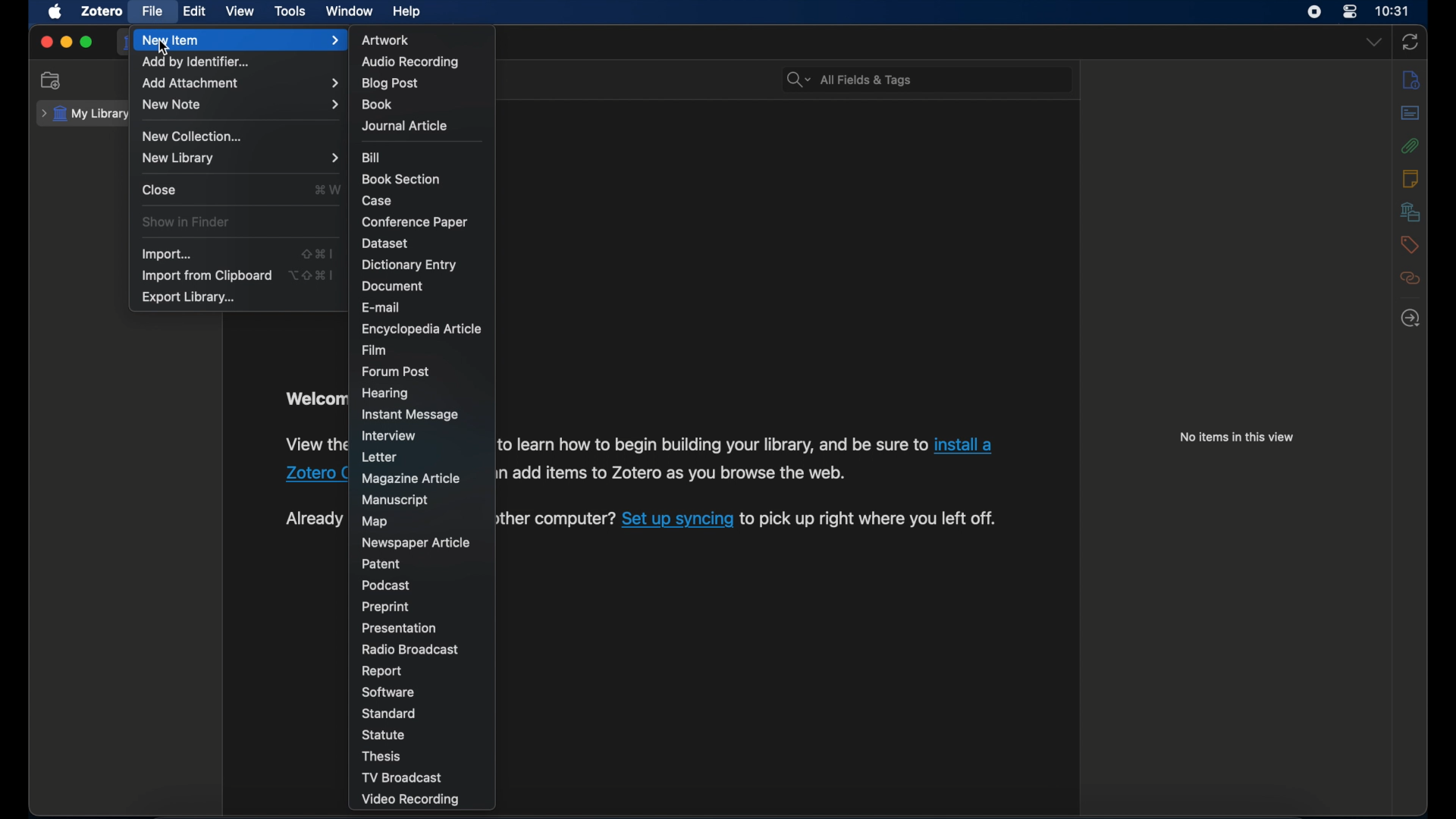 This screenshot has width=1456, height=819. I want to click on standard, so click(388, 713).